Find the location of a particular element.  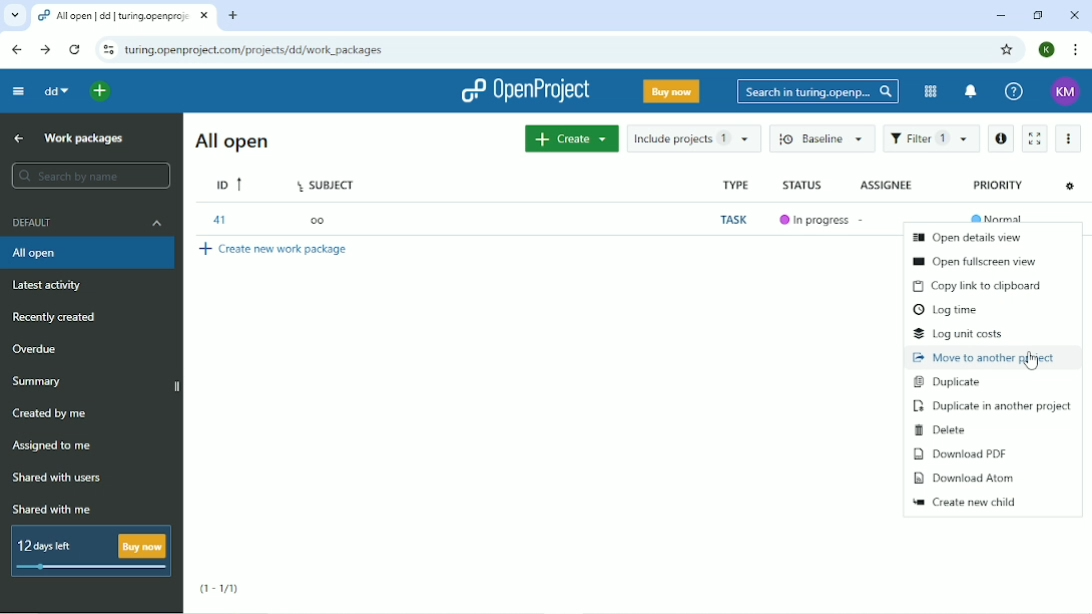

Modules is located at coordinates (928, 92).